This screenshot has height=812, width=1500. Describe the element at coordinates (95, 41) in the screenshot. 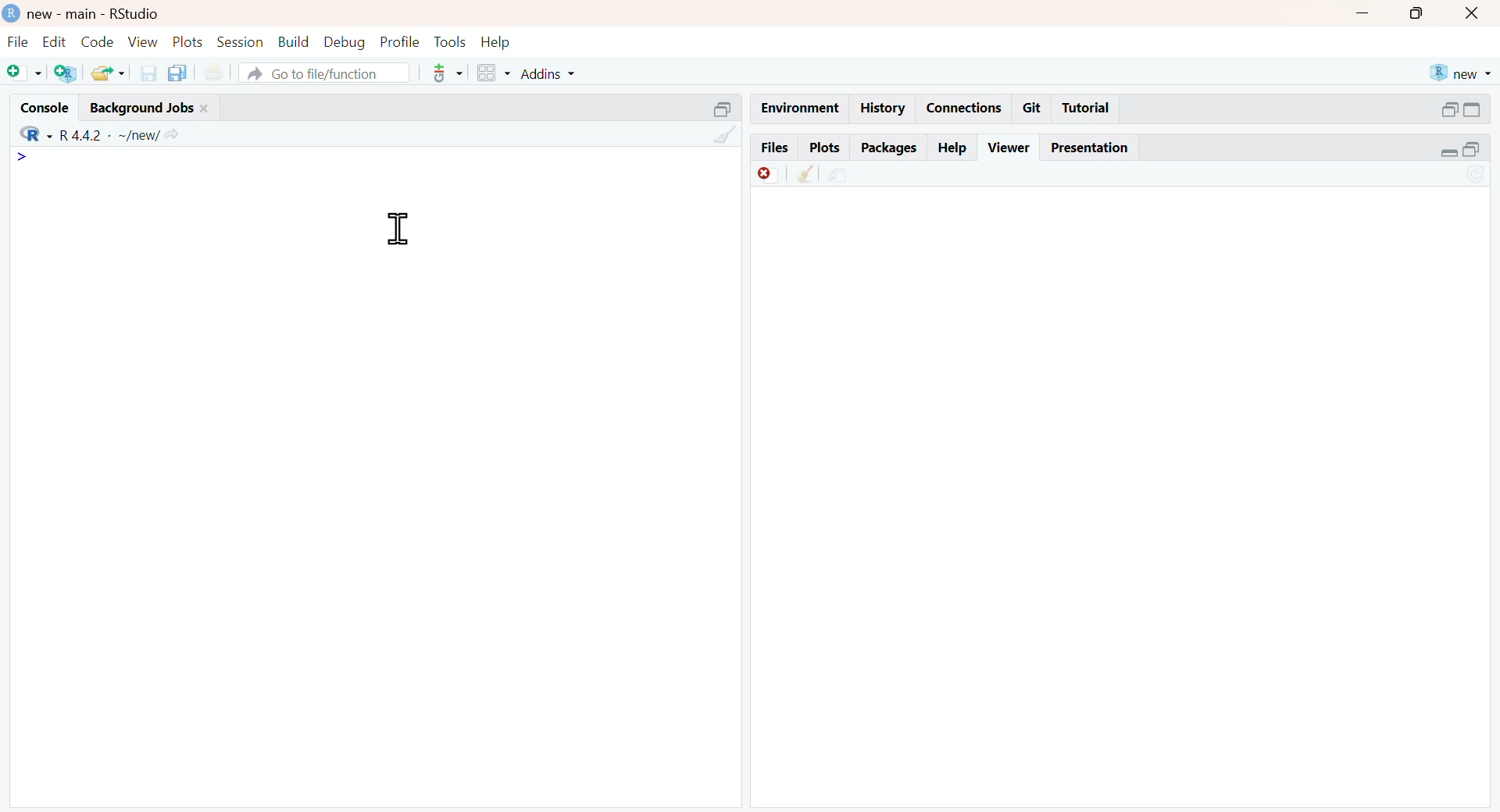

I see `Code` at that location.